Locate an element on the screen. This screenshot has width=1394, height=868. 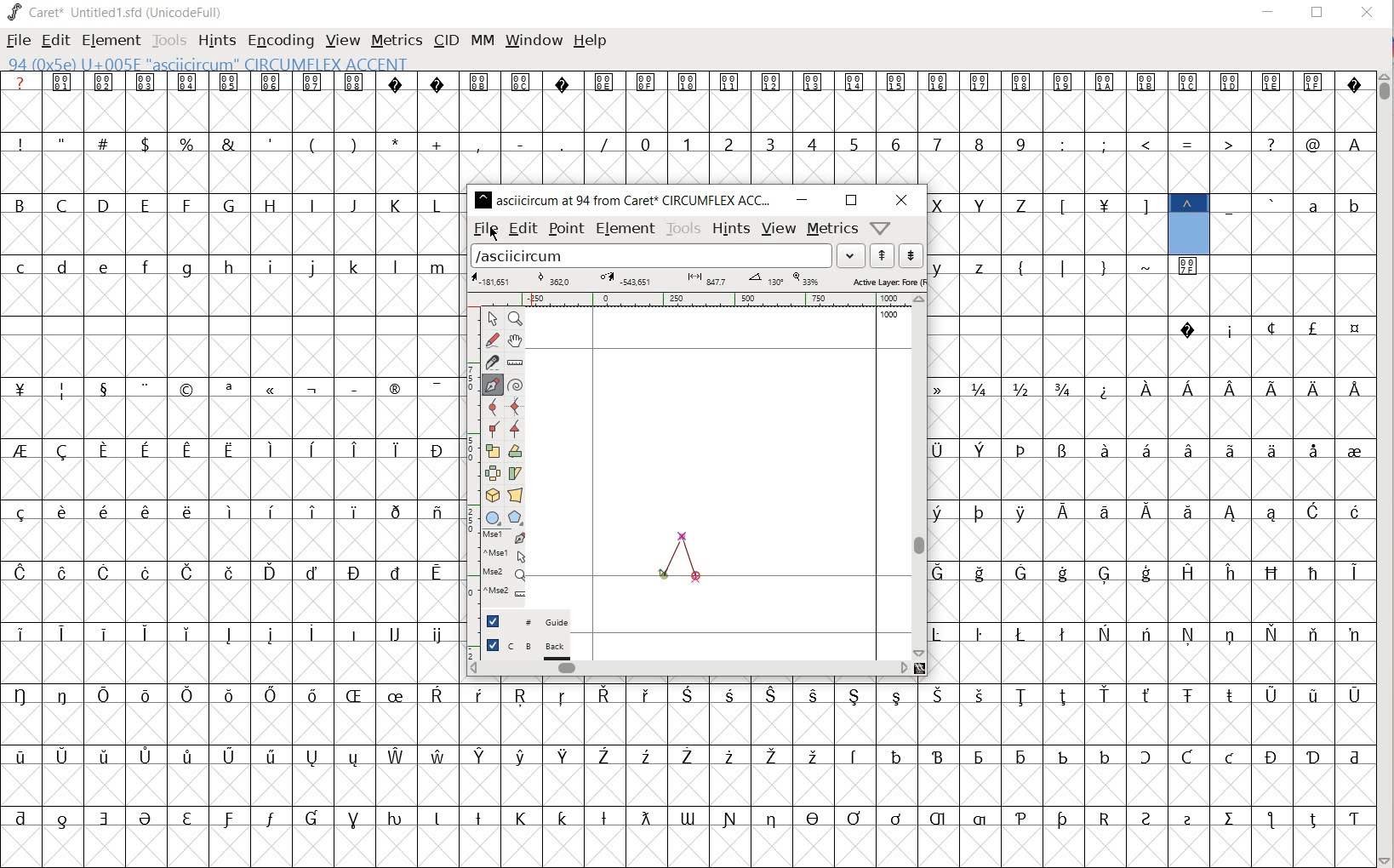
glyph characters is located at coordinates (1151, 468).